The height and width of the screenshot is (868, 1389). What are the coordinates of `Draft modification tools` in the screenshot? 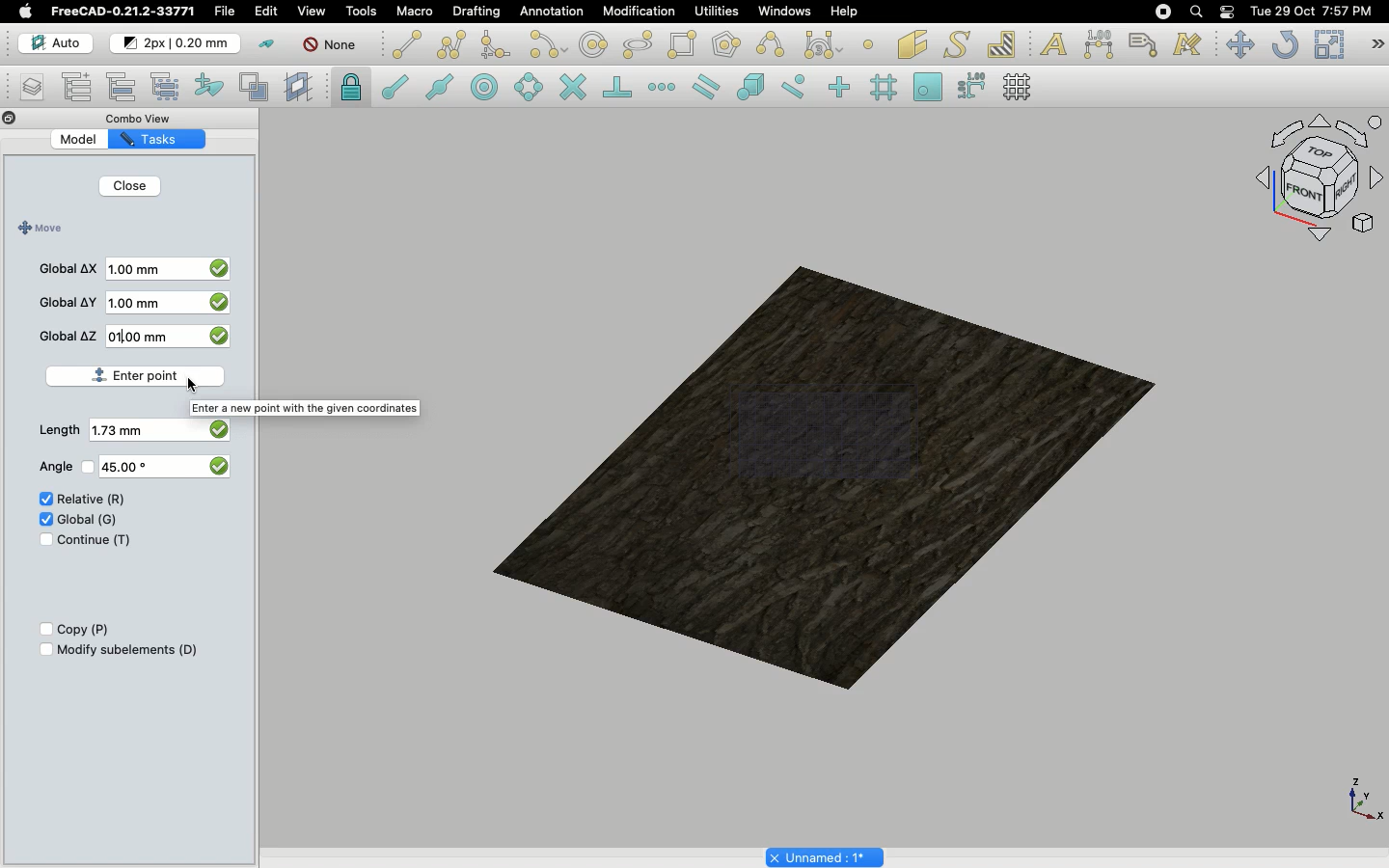 It's located at (1376, 46).